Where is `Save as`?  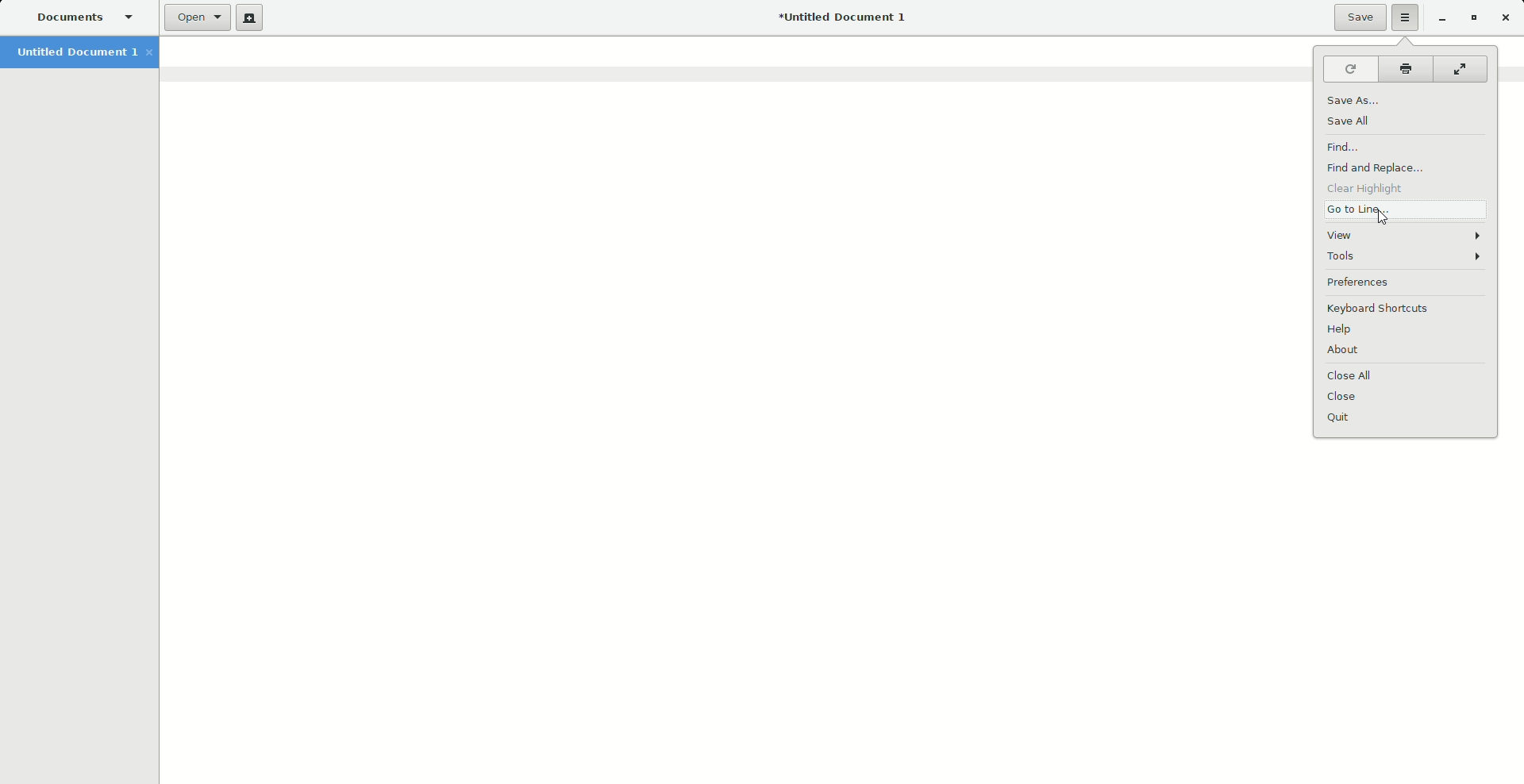
Save as is located at coordinates (1367, 99).